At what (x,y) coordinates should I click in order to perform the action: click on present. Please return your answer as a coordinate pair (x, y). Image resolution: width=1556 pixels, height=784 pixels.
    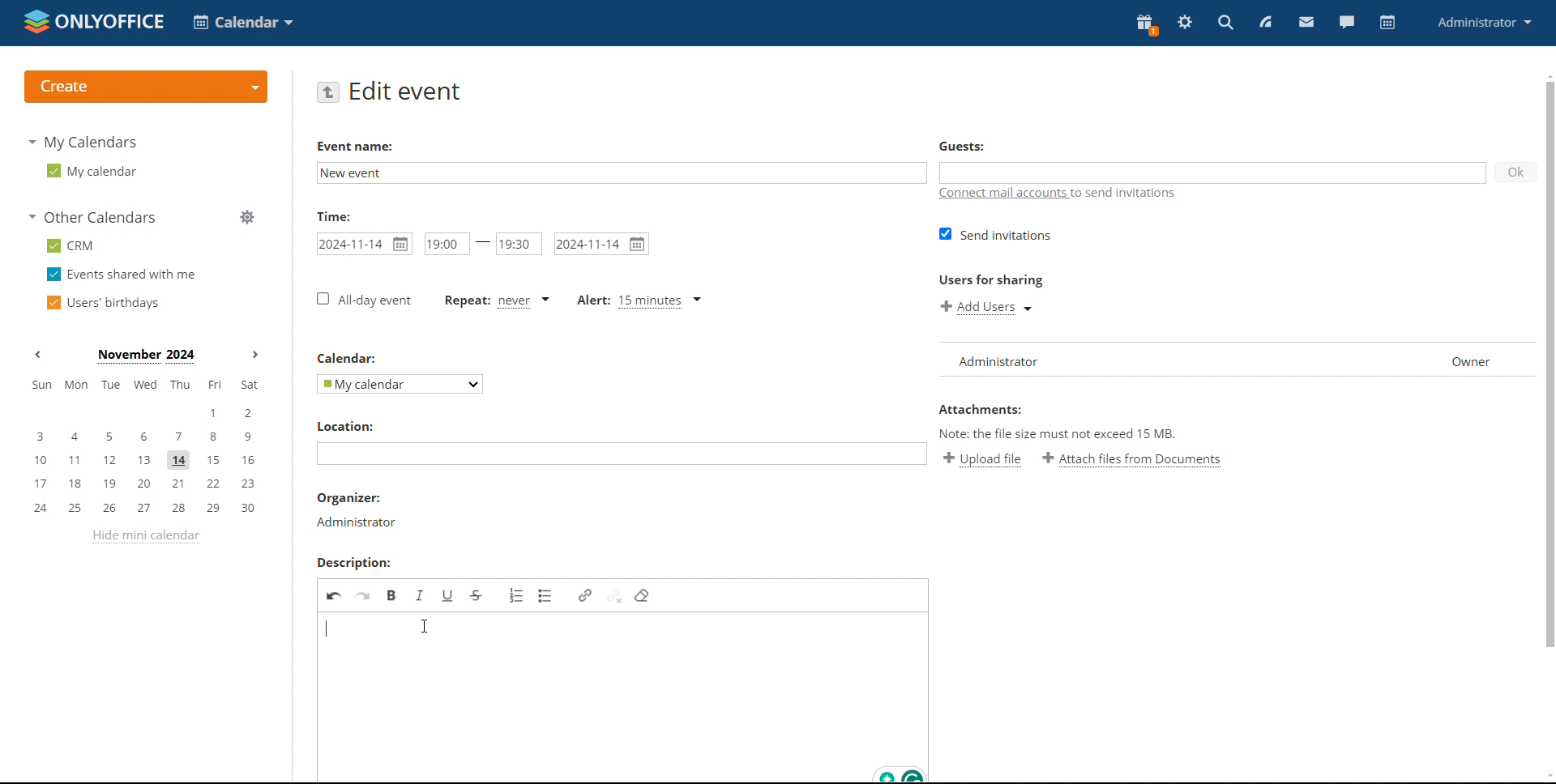
    Looking at the image, I should click on (1145, 24).